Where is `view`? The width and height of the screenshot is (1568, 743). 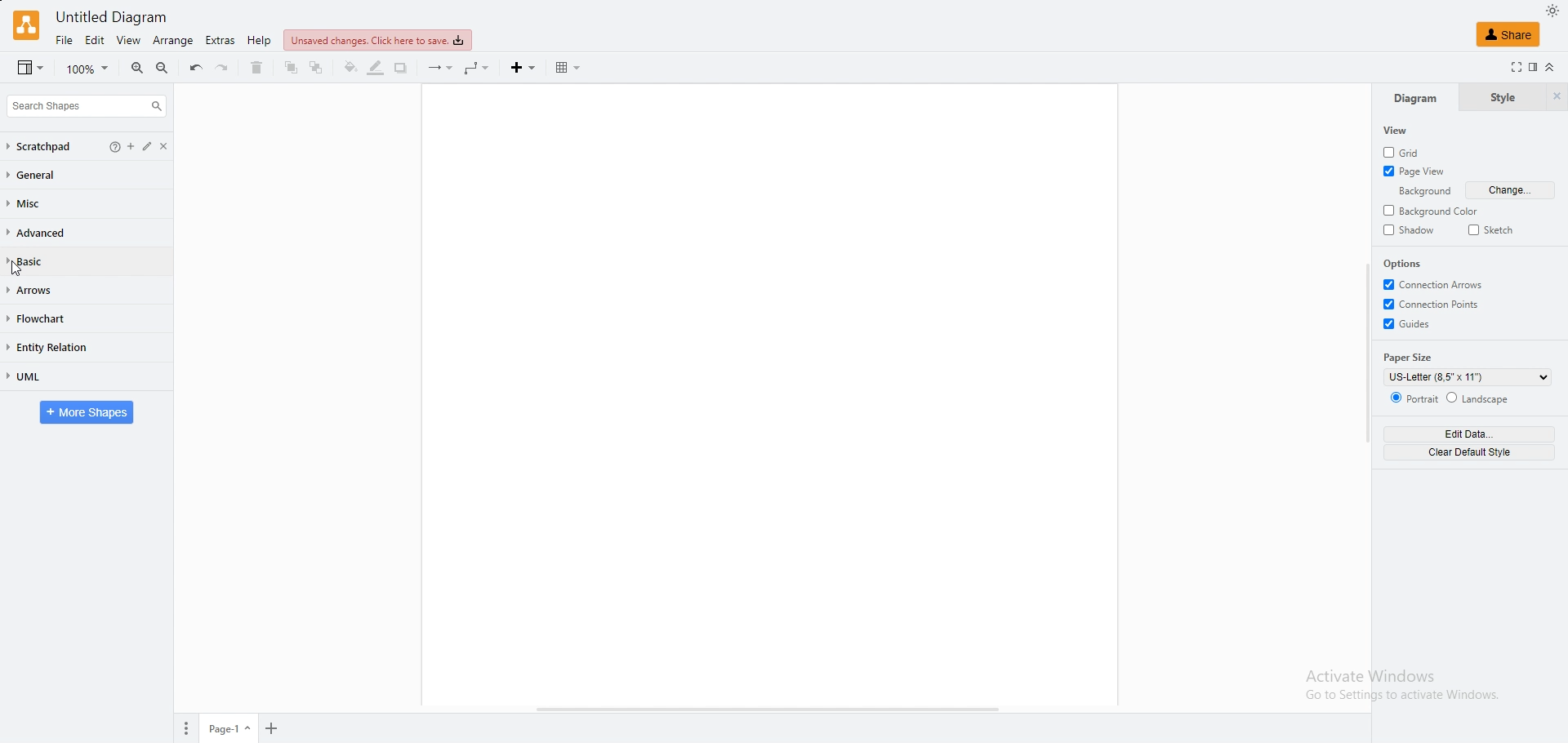 view is located at coordinates (30, 69).